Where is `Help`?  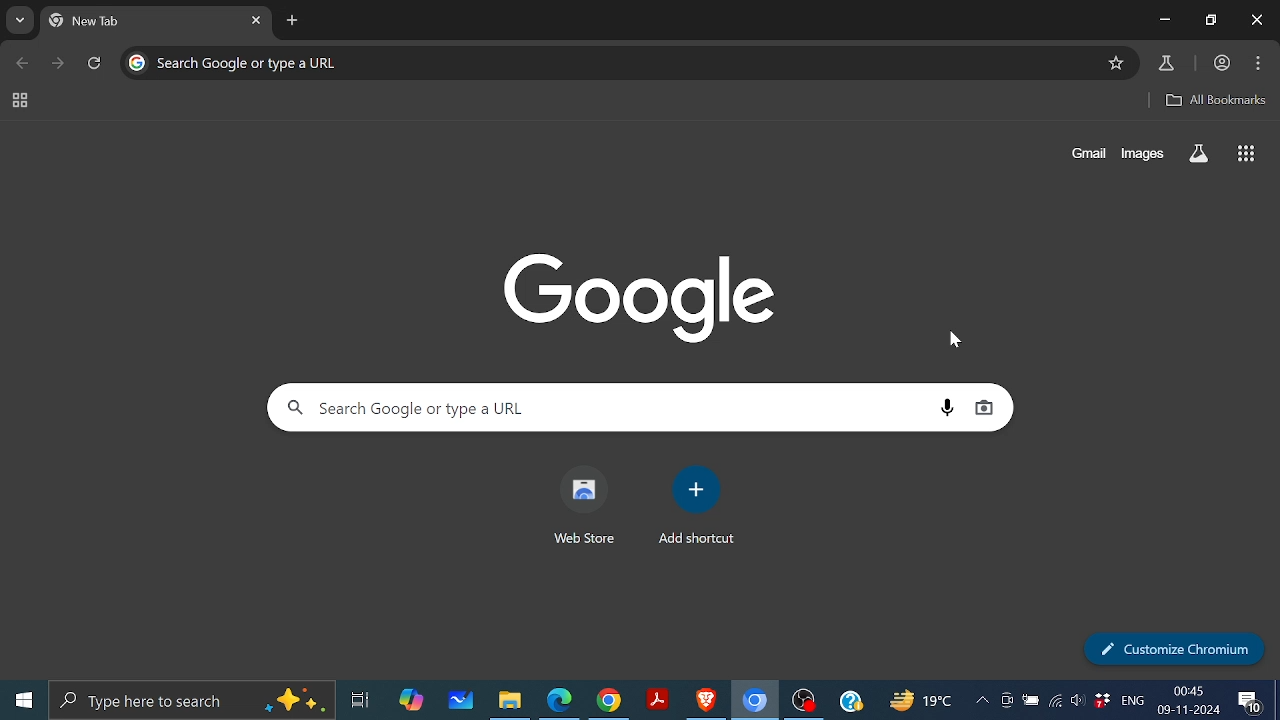 Help is located at coordinates (849, 701).